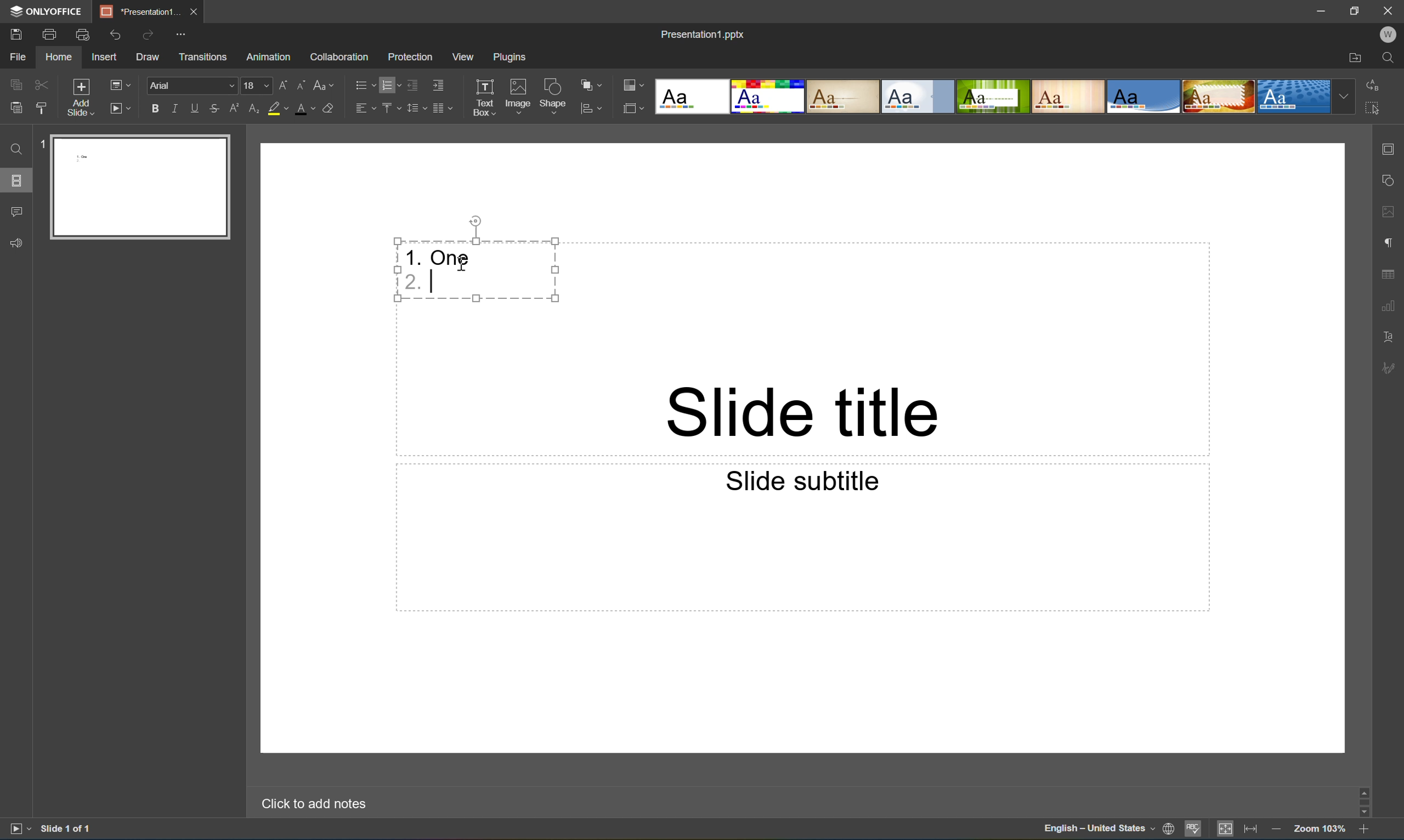 This screenshot has height=840, width=1404. I want to click on Paragraph settings, so click(1393, 240).